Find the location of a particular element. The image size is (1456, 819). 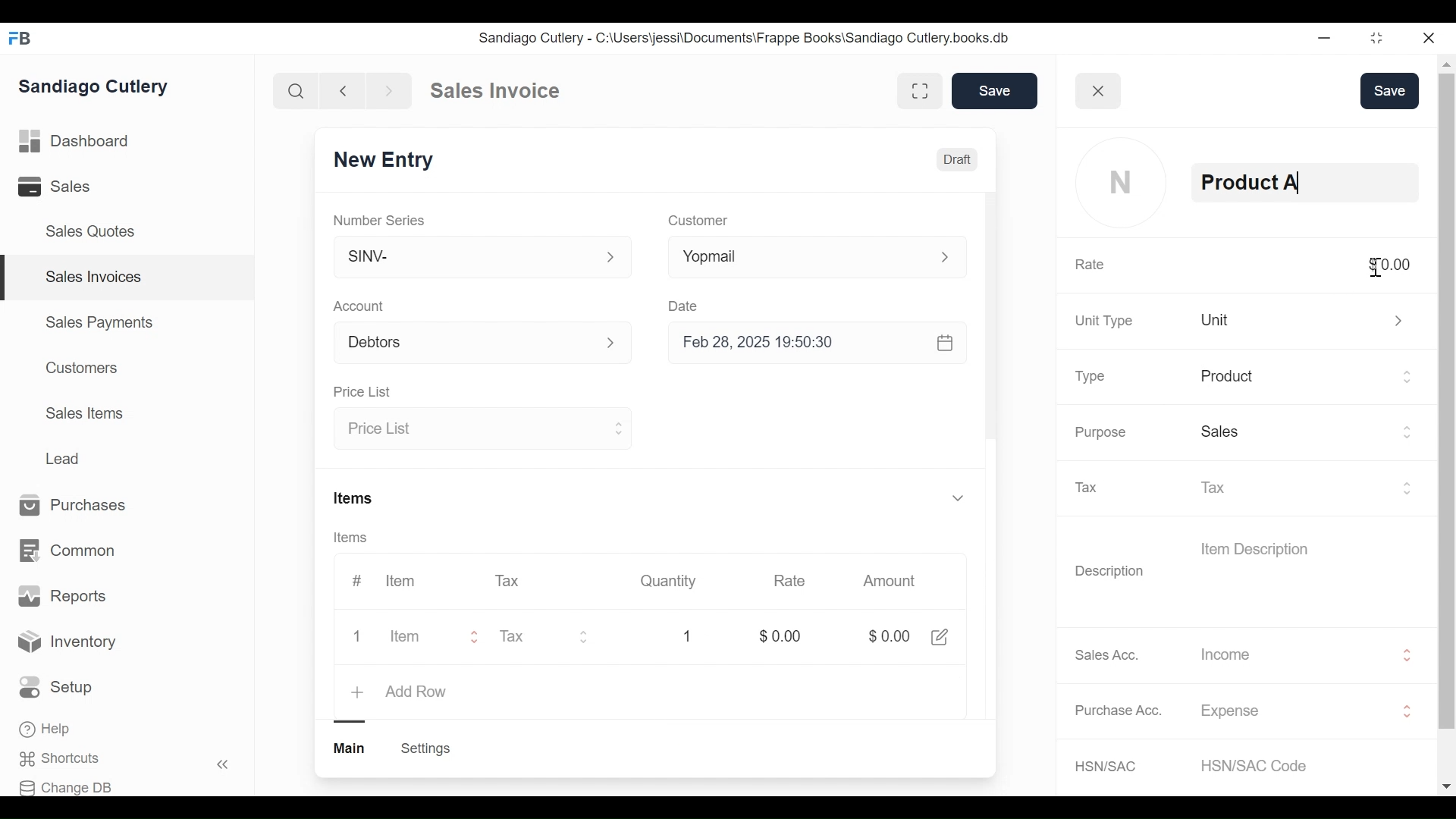

Change DB is located at coordinates (66, 788).